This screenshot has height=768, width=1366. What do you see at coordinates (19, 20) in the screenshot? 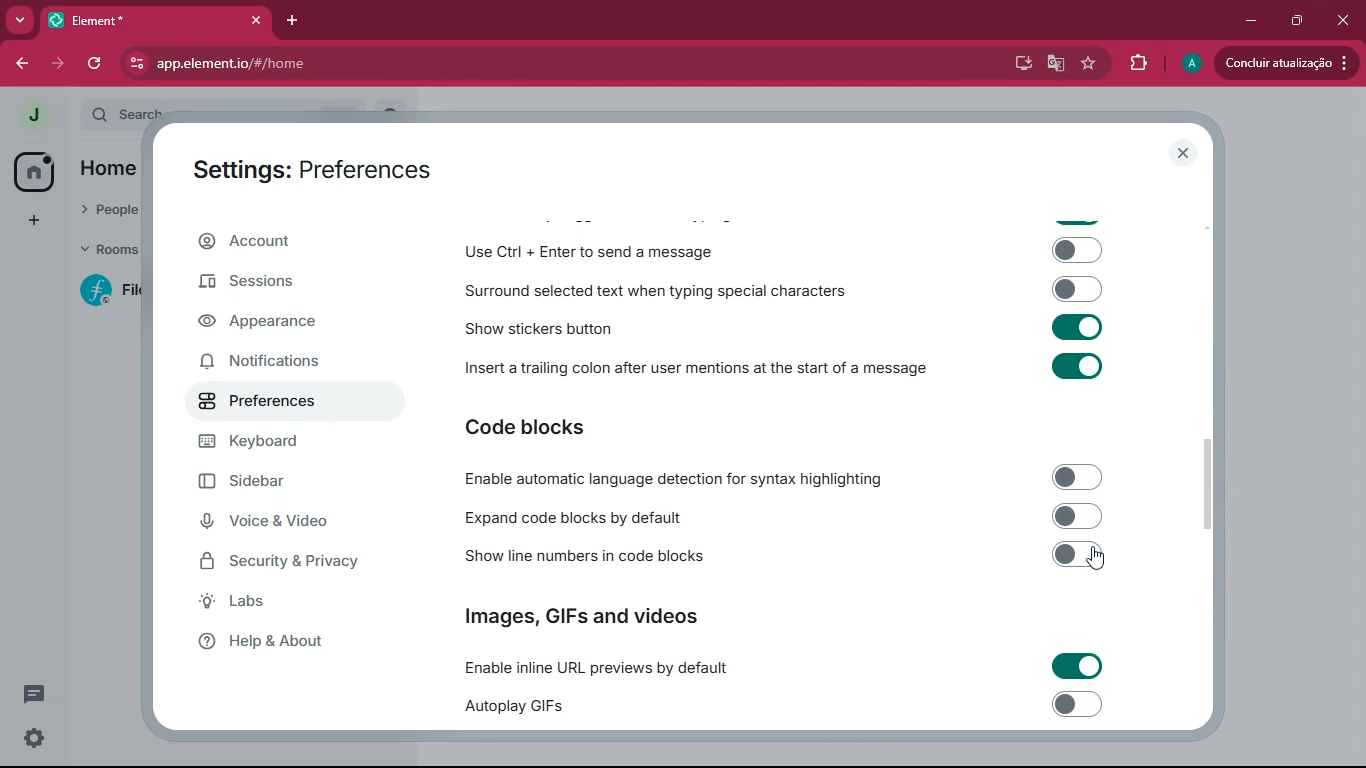
I see `more` at bounding box center [19, 20].